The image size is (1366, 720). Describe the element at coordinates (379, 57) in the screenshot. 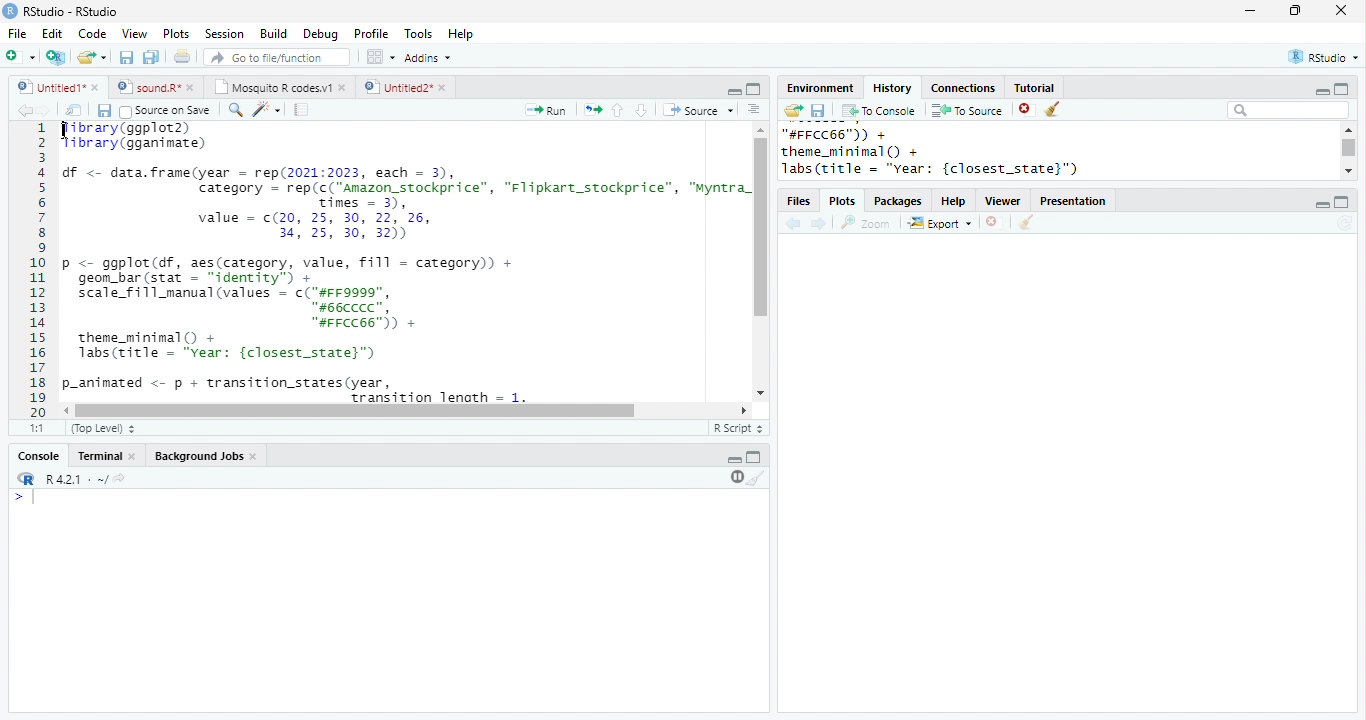

I see `options` at that location.